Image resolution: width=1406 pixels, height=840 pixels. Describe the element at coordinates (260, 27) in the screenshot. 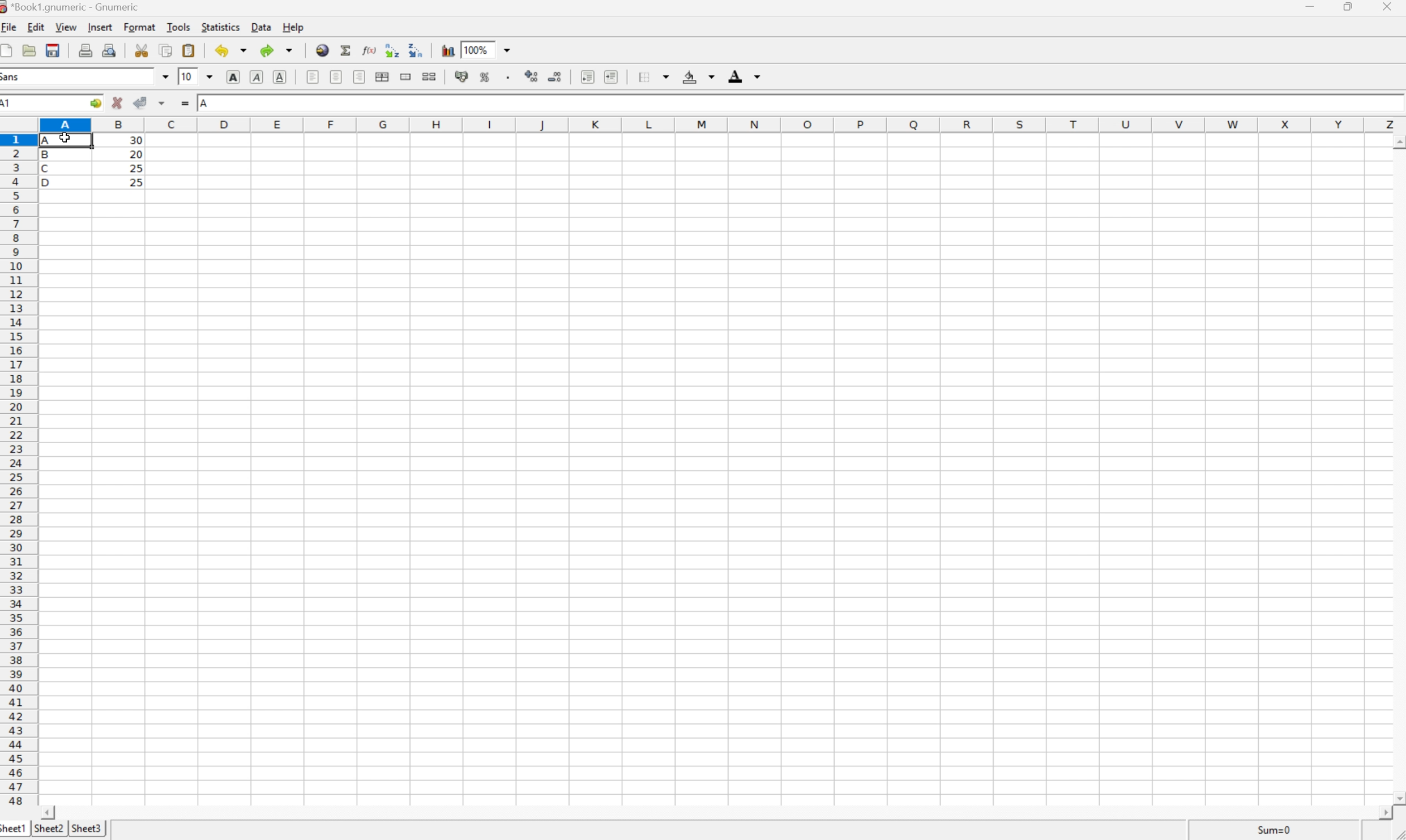

I see `Data` at that location.